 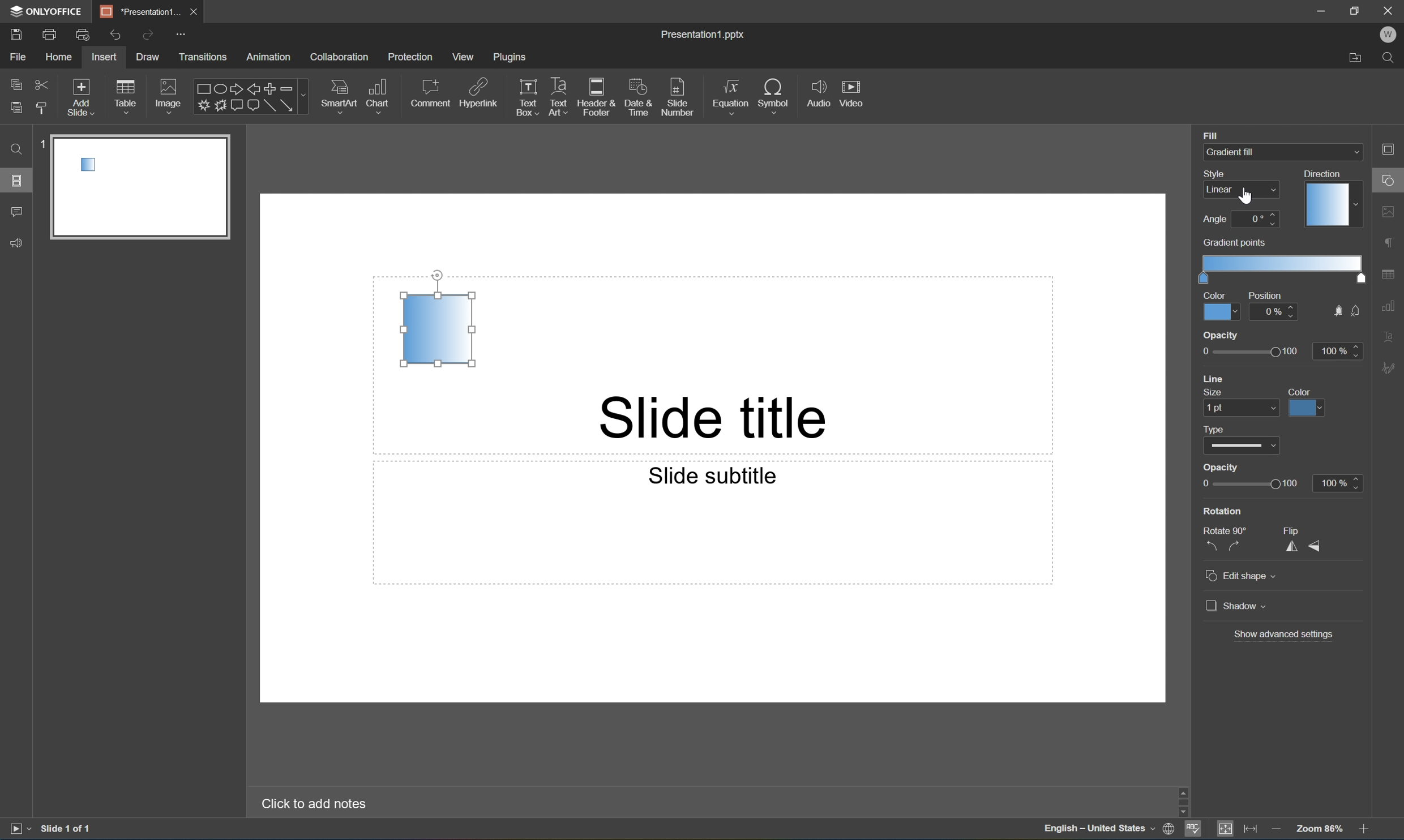 I want to click on Flip Vertically, so click(x=1316, y=546).